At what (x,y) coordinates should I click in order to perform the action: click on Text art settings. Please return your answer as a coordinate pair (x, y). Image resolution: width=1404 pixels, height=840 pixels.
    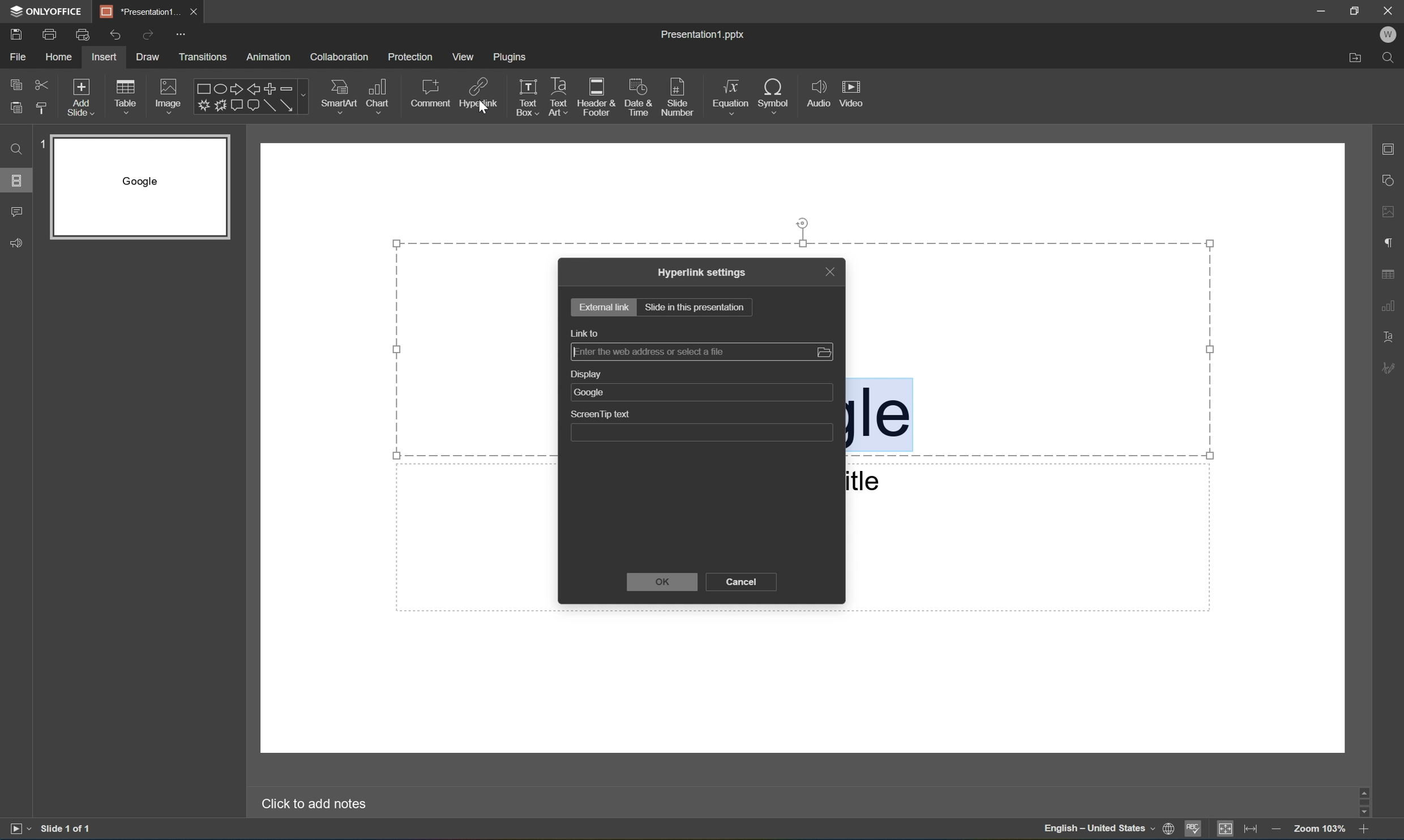
    Looking at the image, I should click on (1393, 335).